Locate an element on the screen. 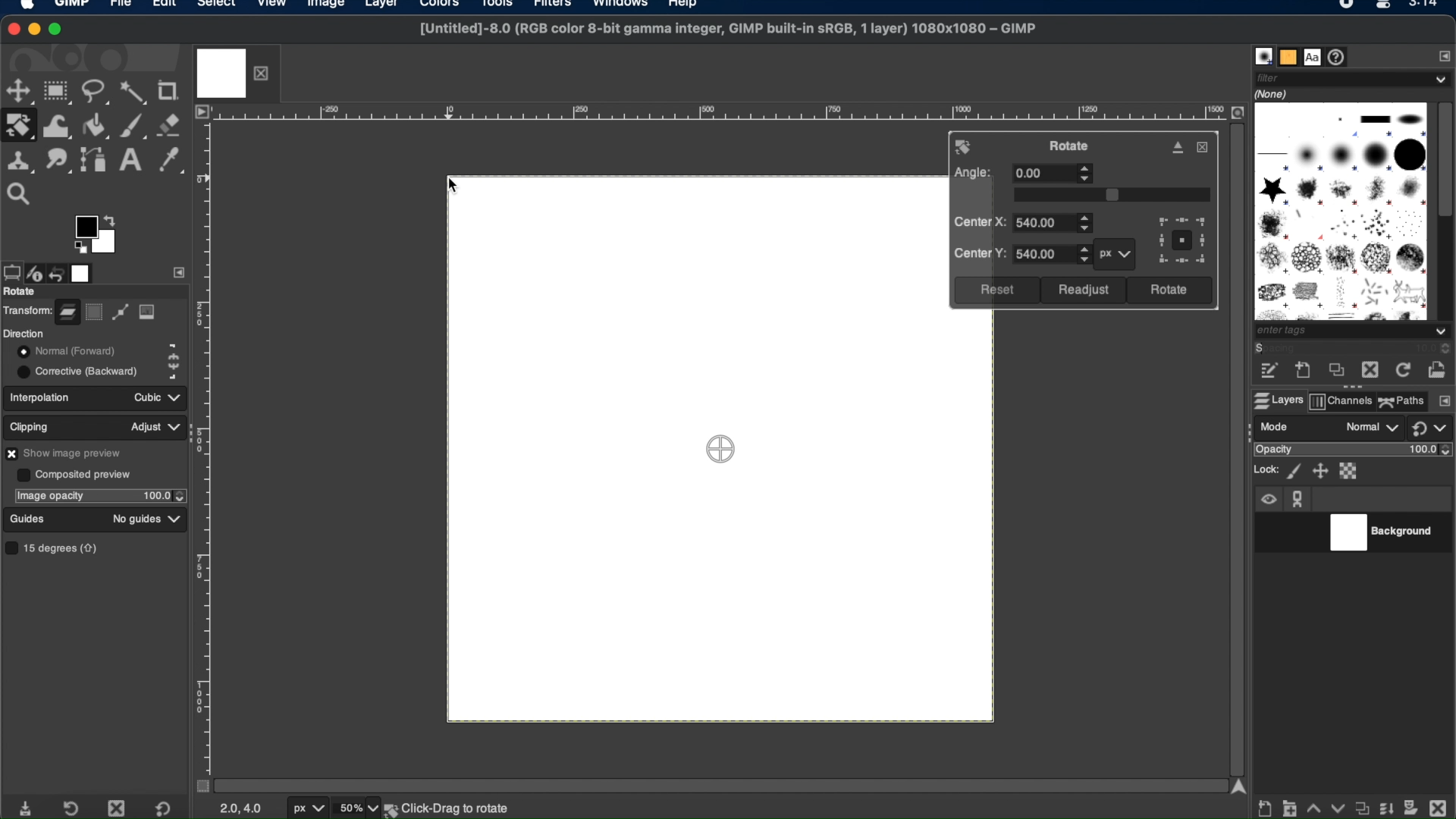  guides dropdown is located at coordinates (176, 519).